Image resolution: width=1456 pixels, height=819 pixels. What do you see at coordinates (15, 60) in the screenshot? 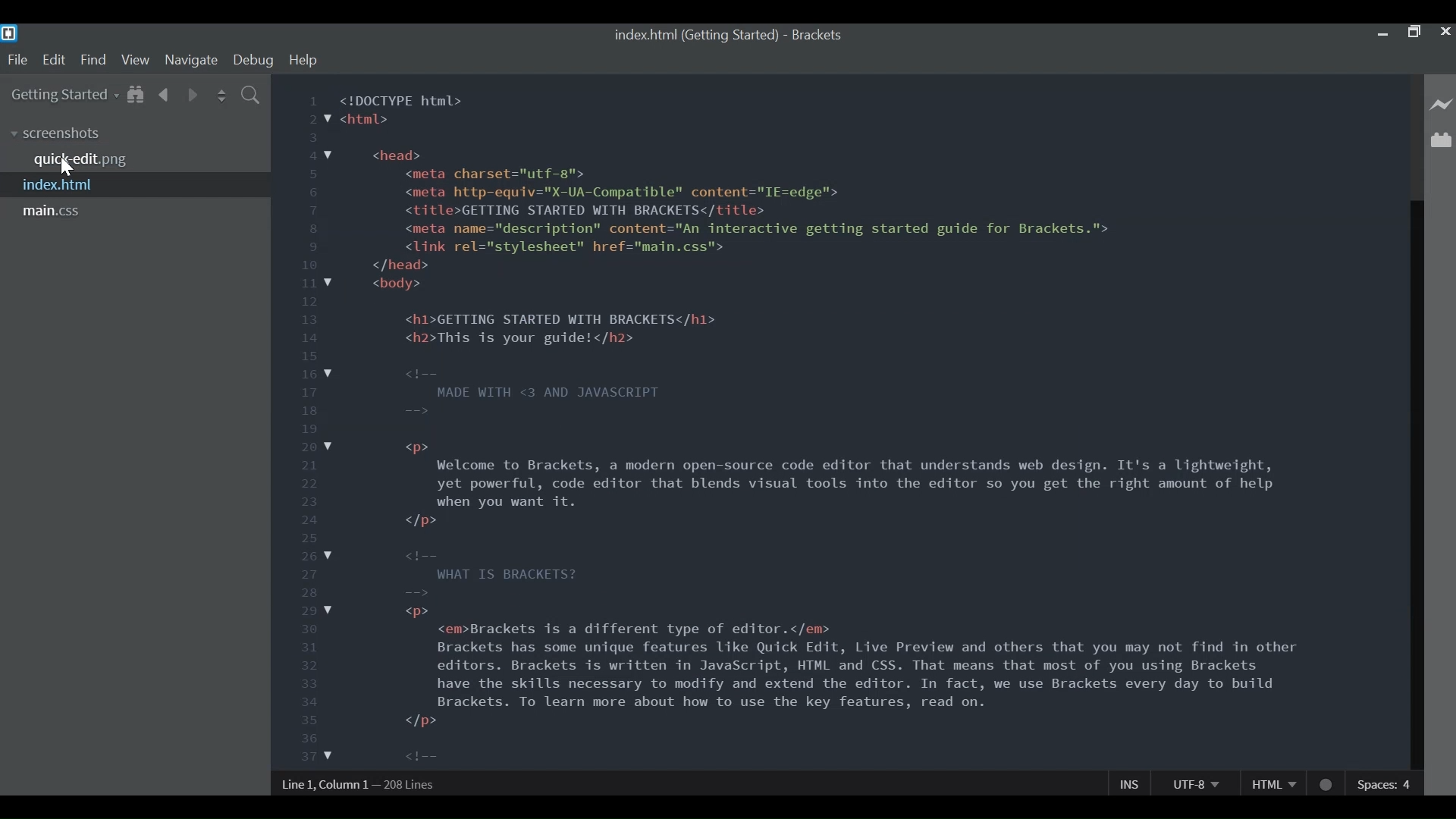
I see `File` at bounding box center [15, 60].